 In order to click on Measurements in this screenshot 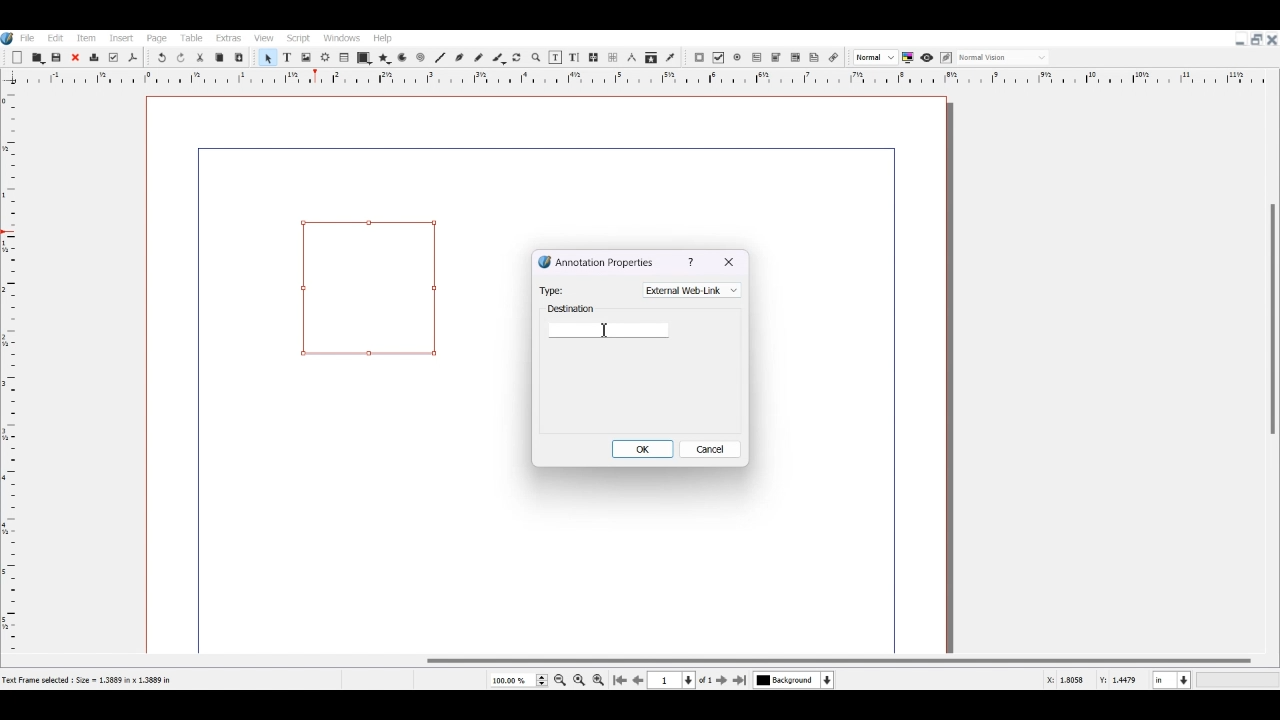, I will do `click(631, 58)`.